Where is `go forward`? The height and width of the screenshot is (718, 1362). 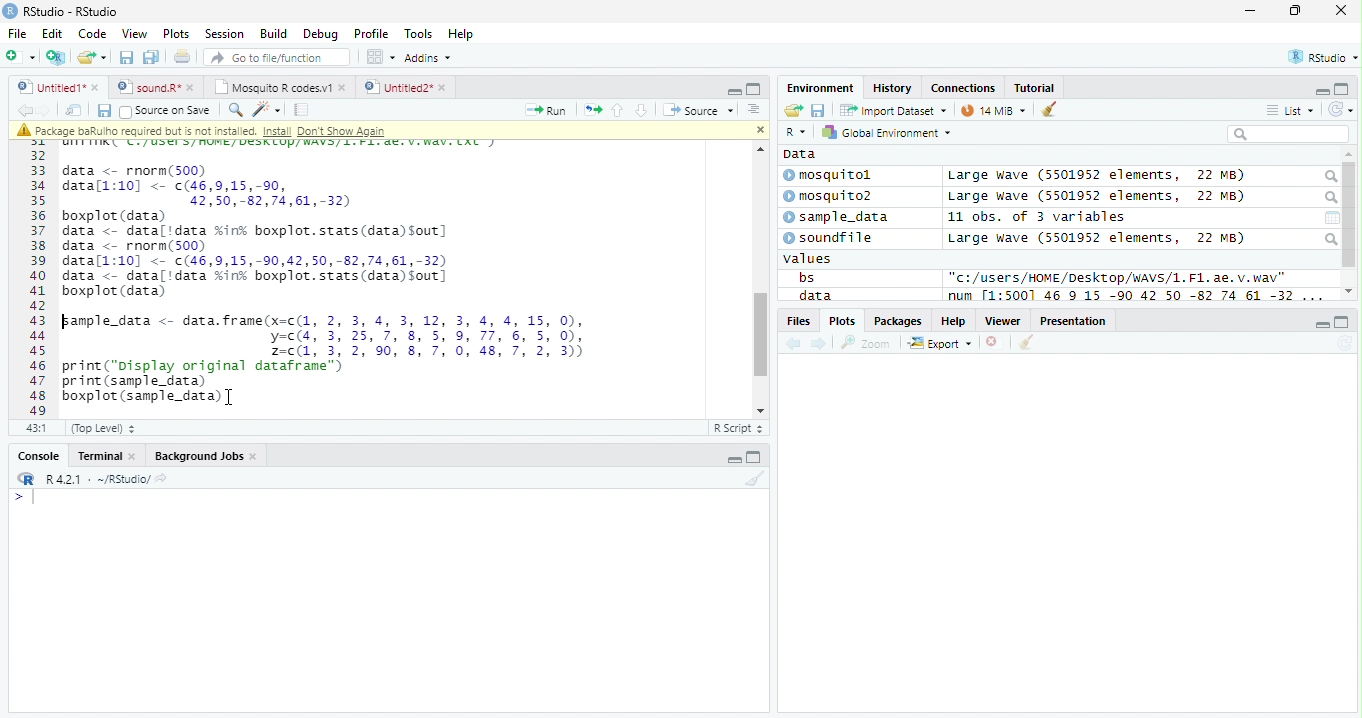 go forward is located at coordinates (820, 345).